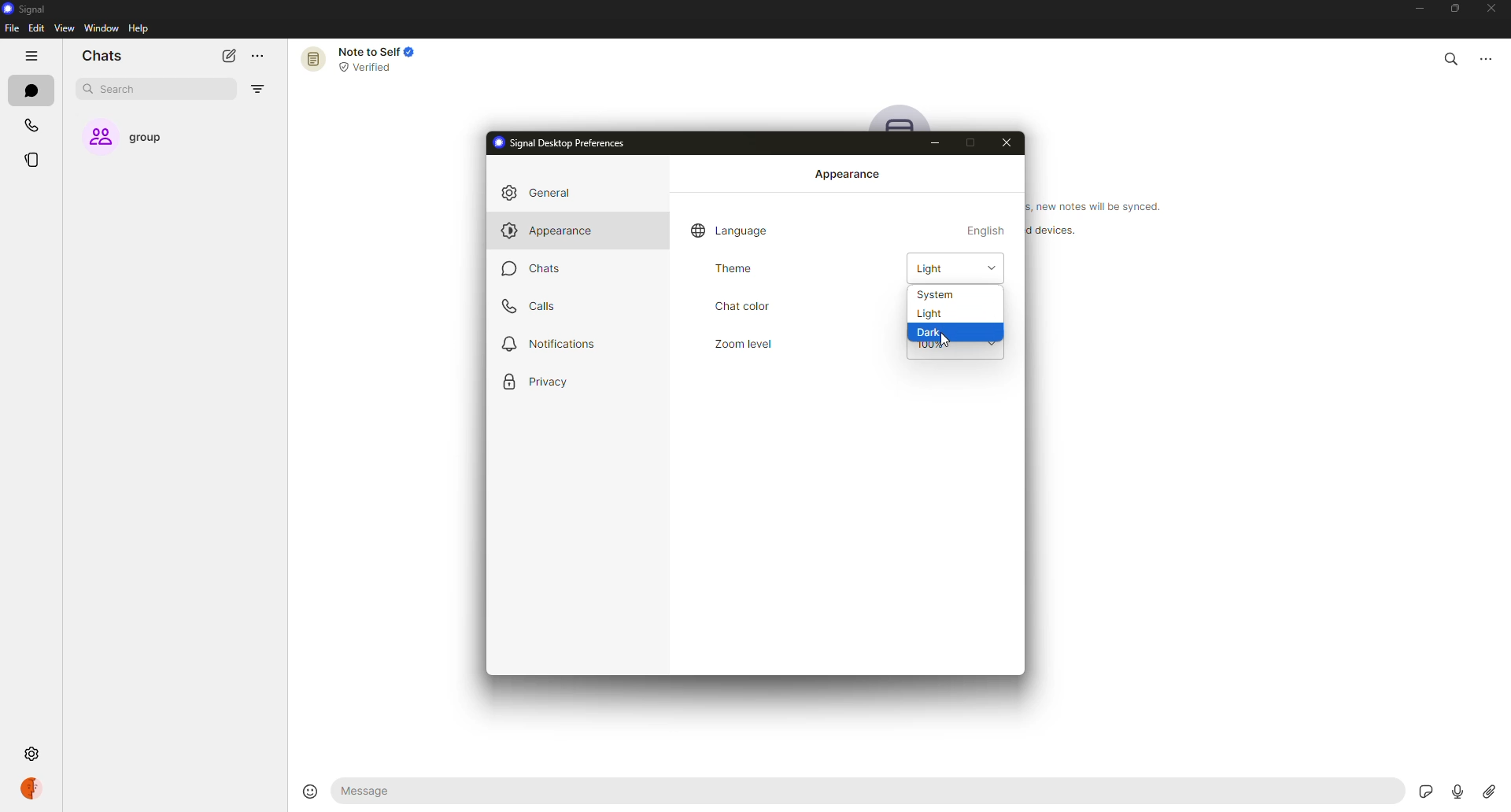 The height and width of the screenshot is (812, 1511). Describe the element at coordinates (24, 10) in the screenshot. I see `signal` at that location.